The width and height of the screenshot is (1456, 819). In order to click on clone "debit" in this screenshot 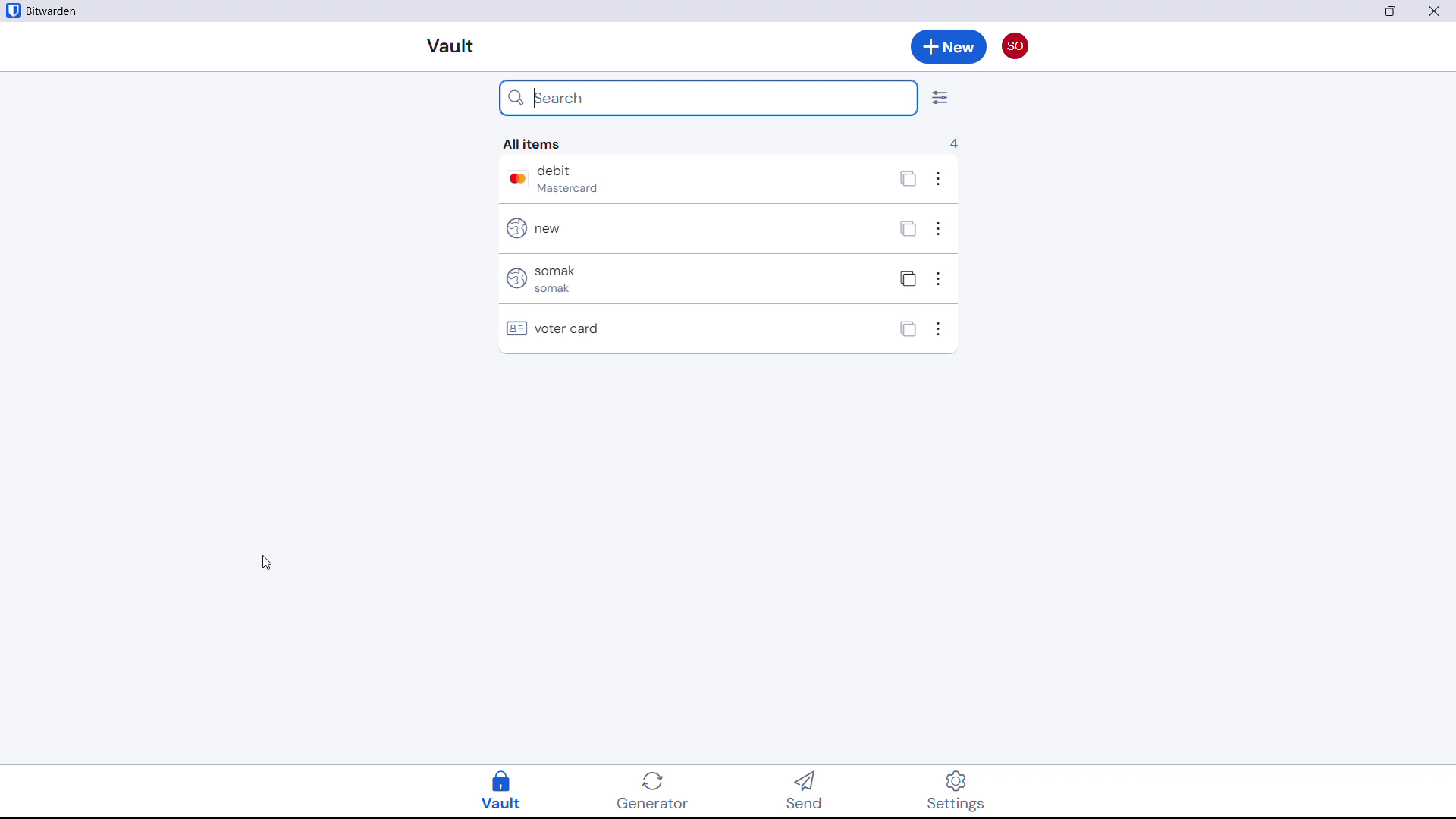, I will do `click(905, 181)`.